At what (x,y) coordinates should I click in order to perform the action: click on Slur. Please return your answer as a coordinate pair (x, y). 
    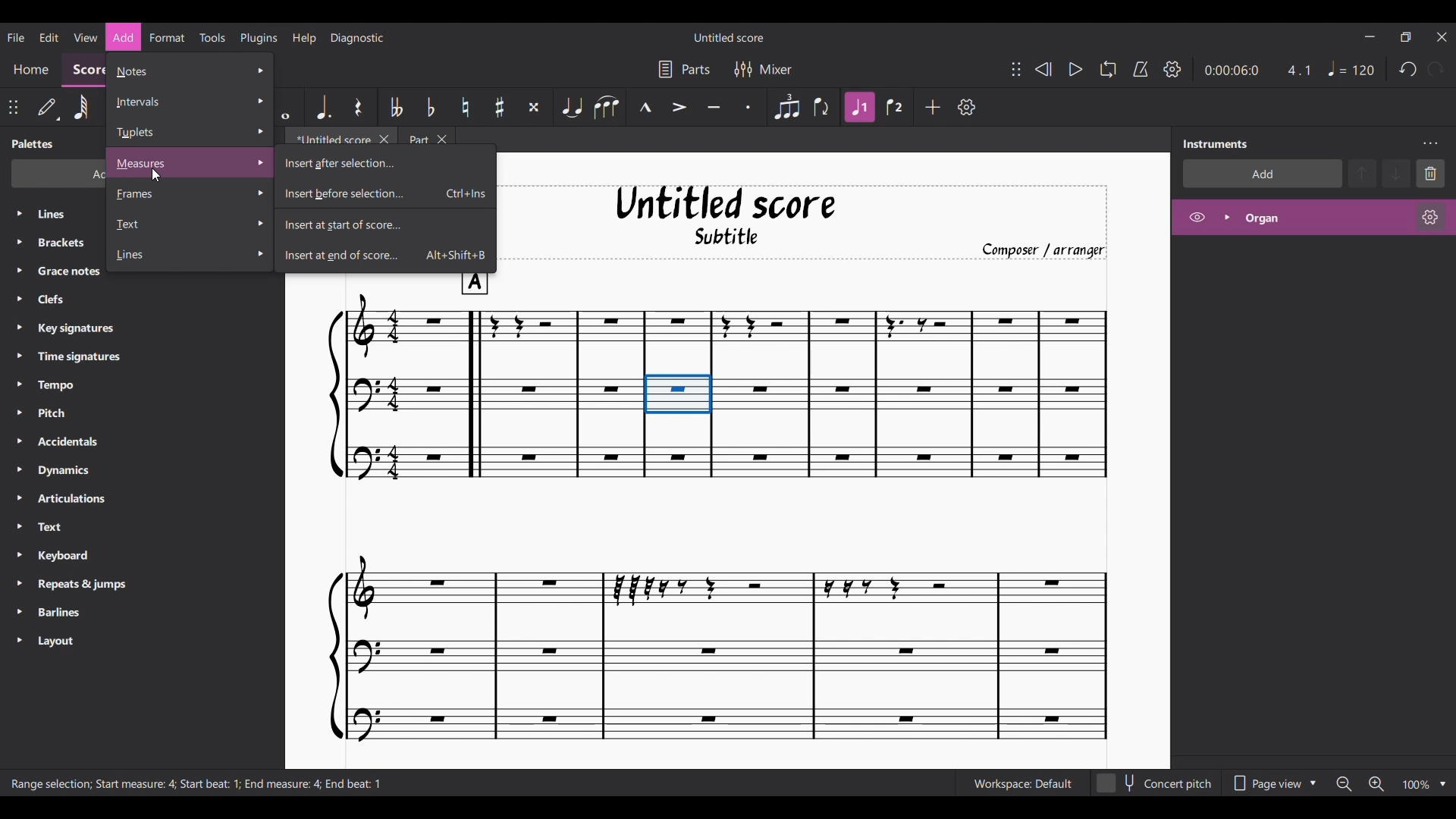
    Looking at the image, I should click on (607, 108).